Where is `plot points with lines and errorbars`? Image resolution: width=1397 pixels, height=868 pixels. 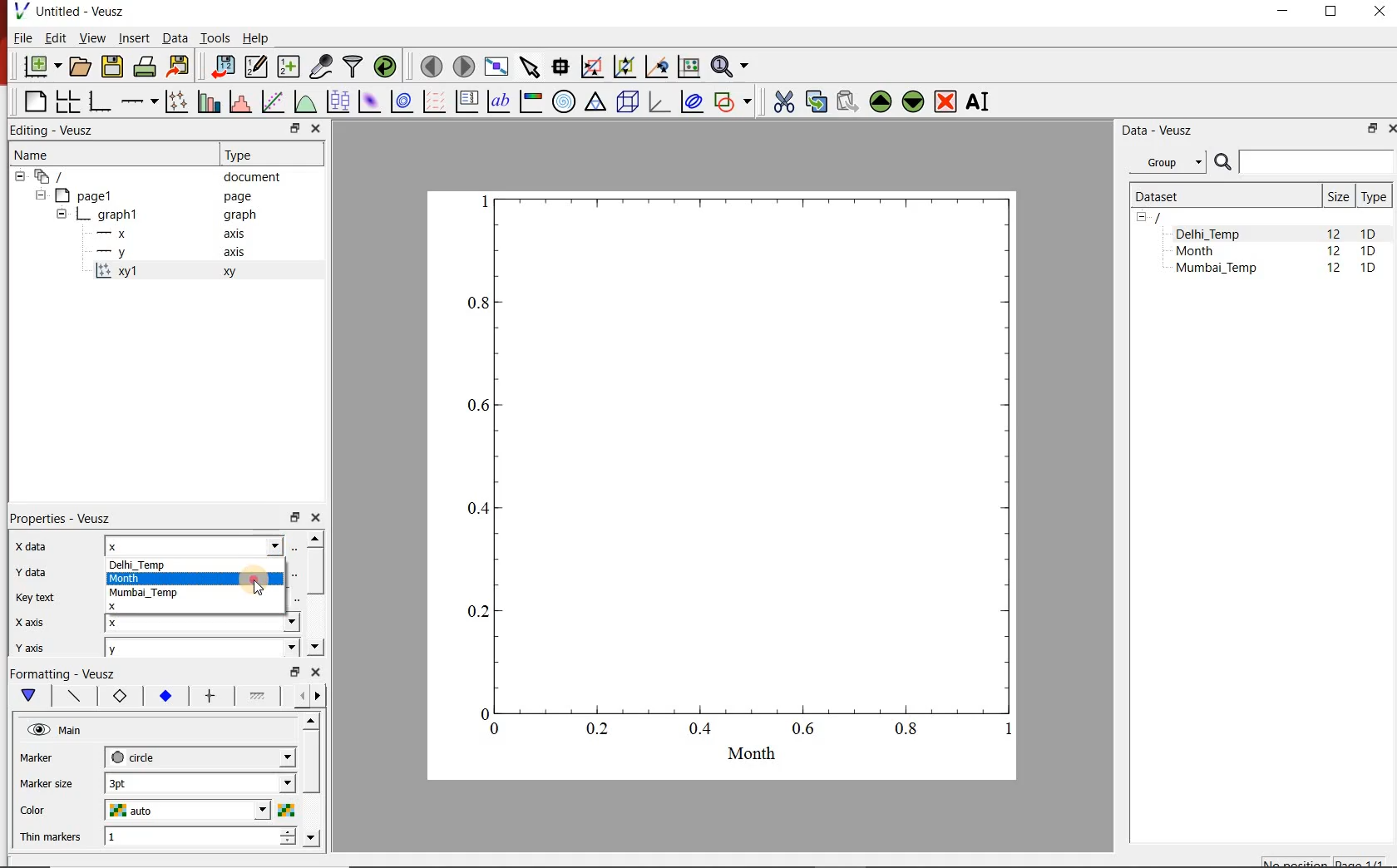
plot points with lines and errorbars is located at coordinates (175, 102).